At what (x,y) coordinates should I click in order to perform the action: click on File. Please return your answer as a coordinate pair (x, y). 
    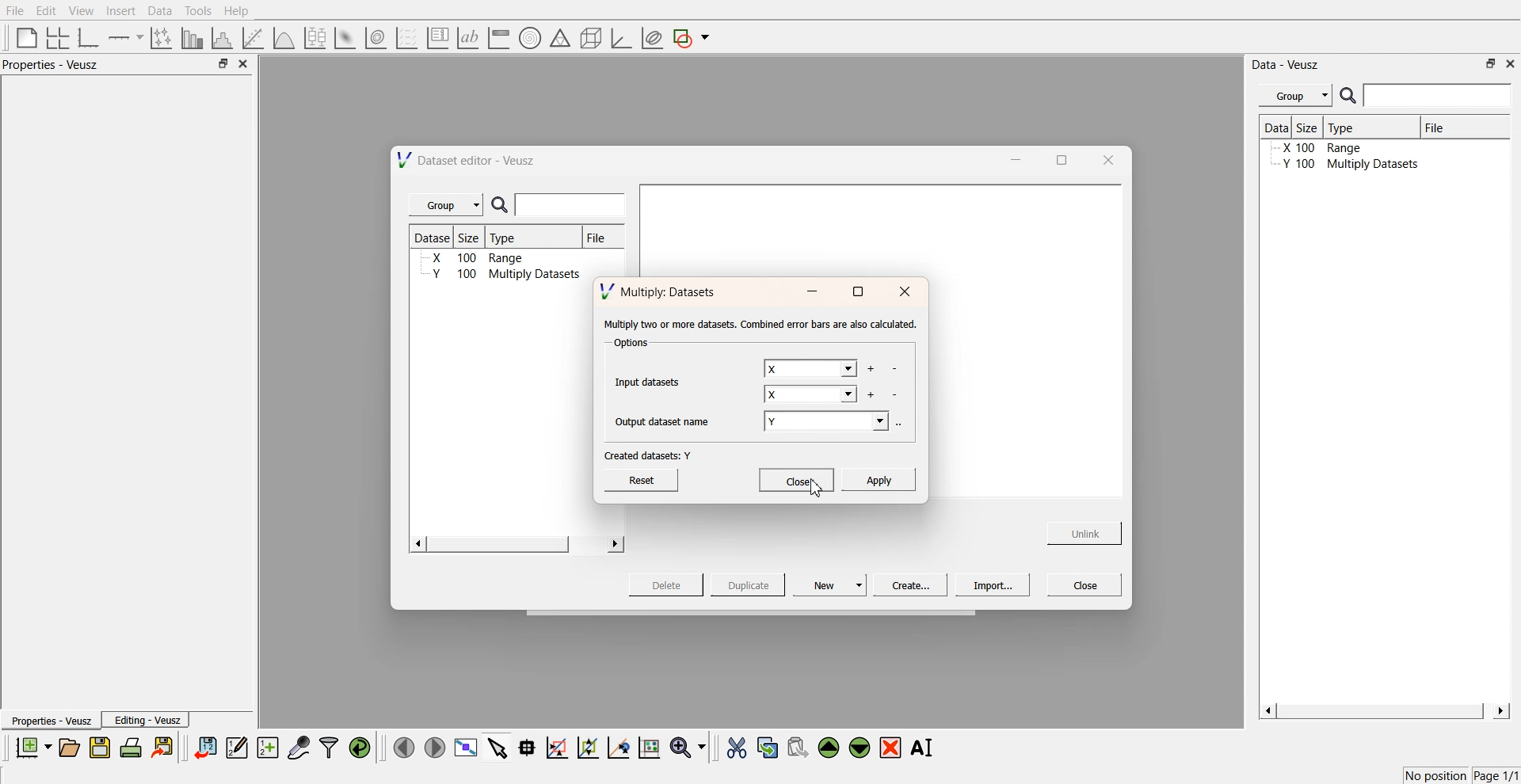
    Looking at the image, I should click on (16, 11).